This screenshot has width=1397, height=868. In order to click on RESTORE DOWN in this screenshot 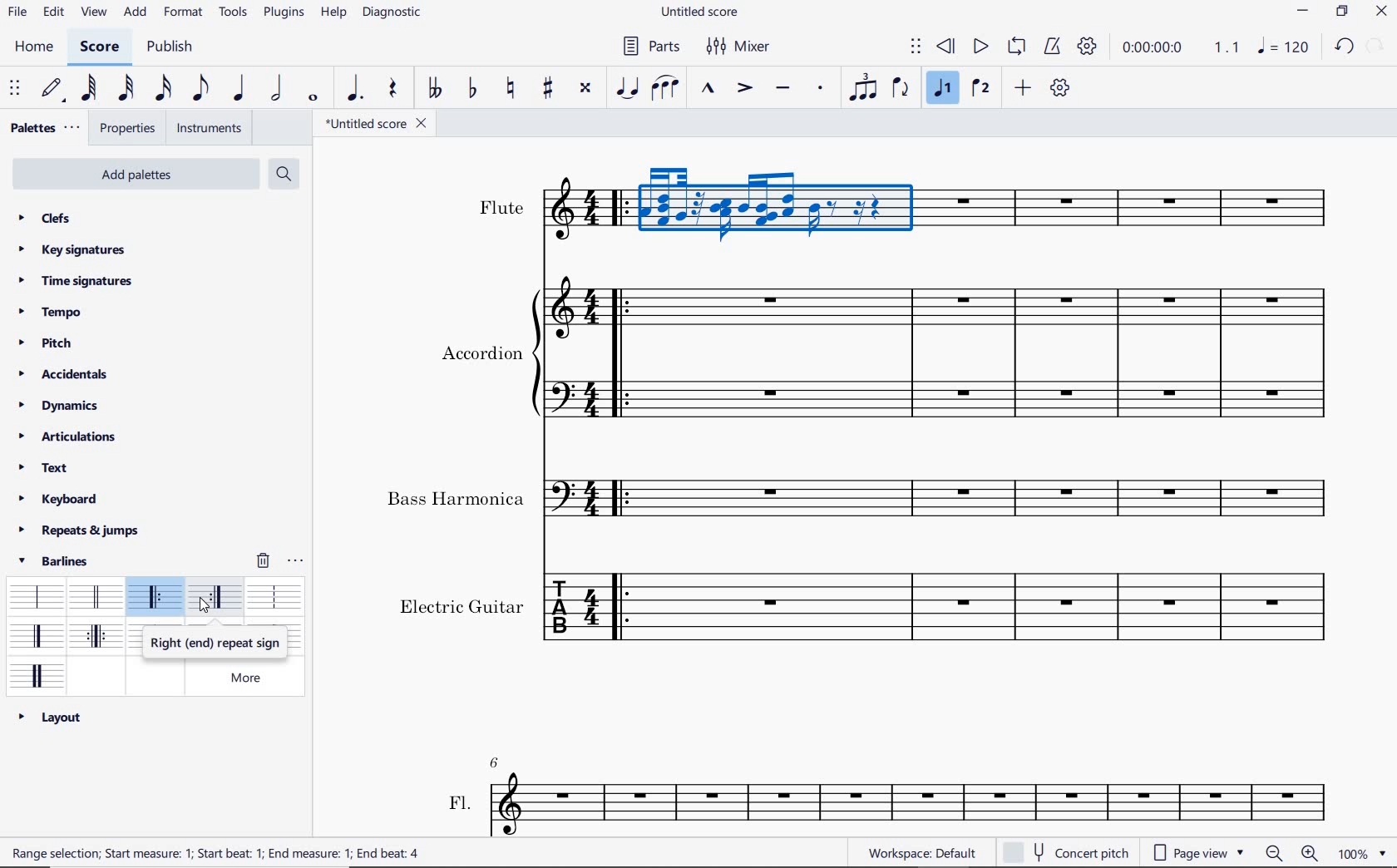, I will do `click(1341, 12)`.